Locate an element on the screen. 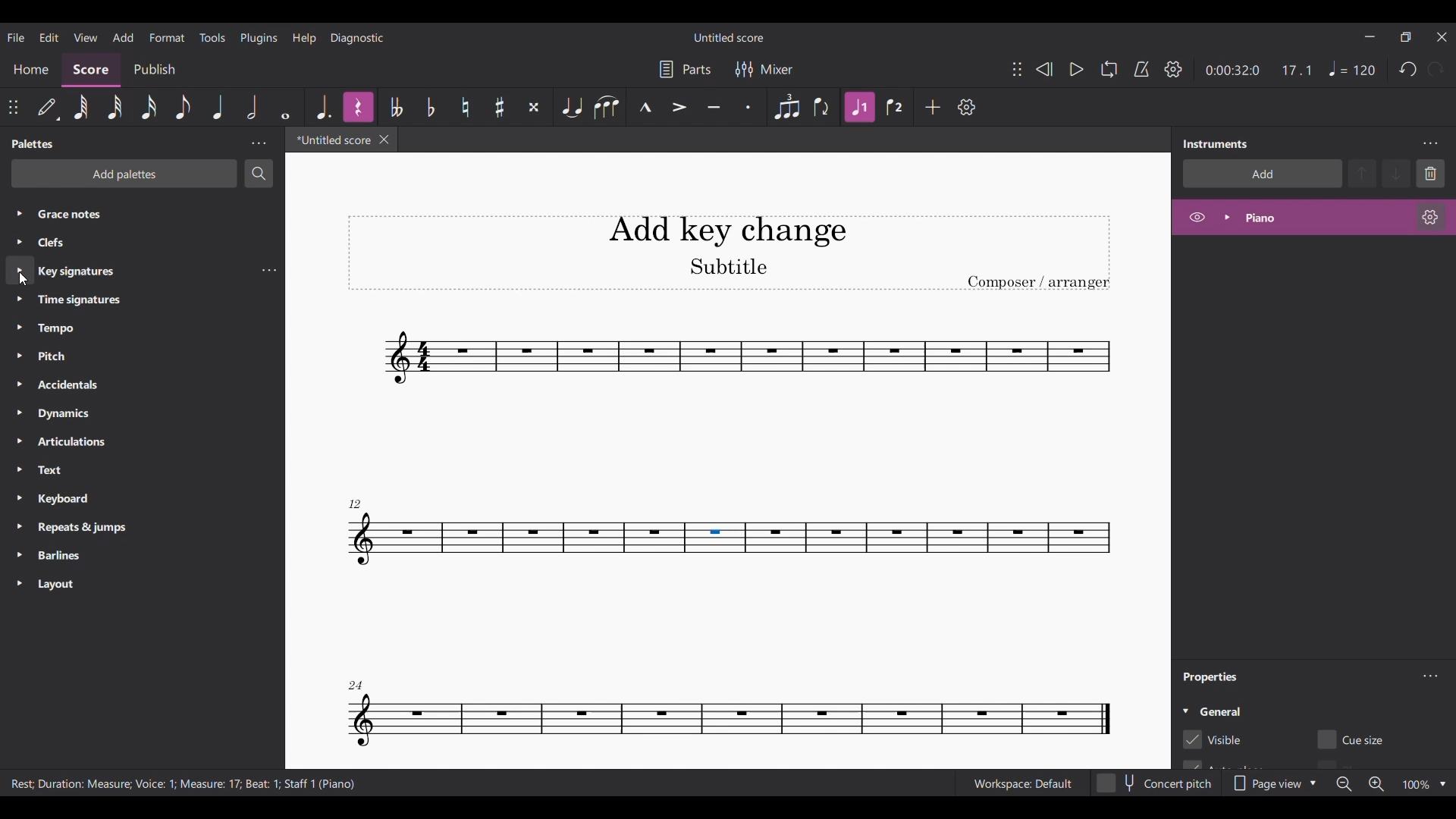  Zoom out is located at coordinates (1344, 784).